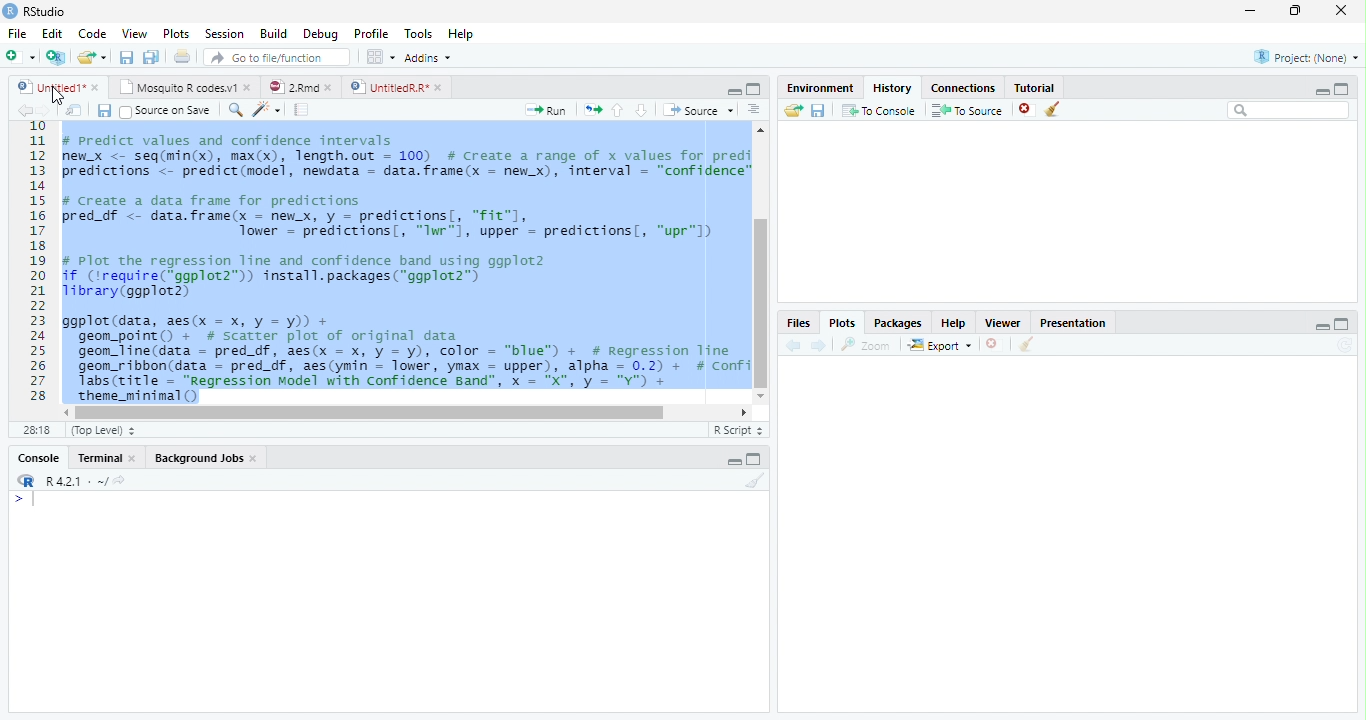  What do you see at coordinates (865, 346) in the screenshot?
I see `Zoom` at bounding box center [865, 346].